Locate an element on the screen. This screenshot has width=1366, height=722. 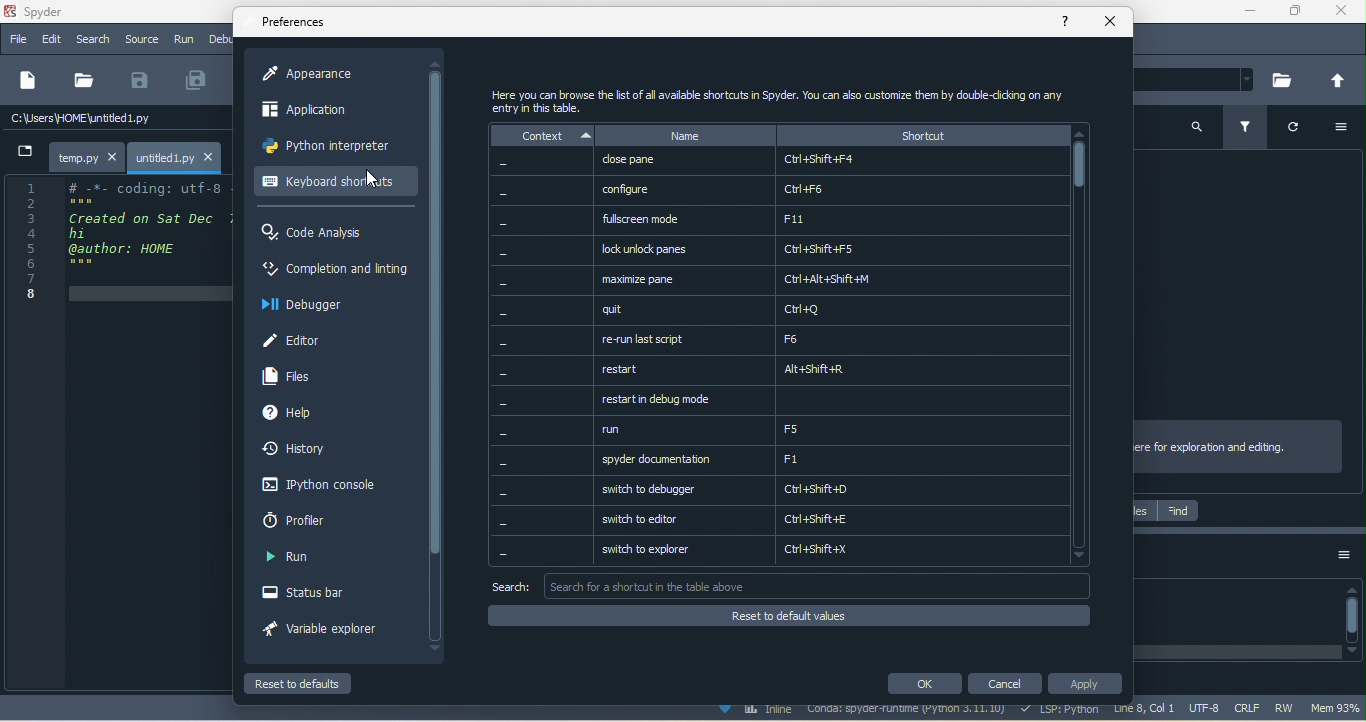
close is located at coordinates (1109, 21).